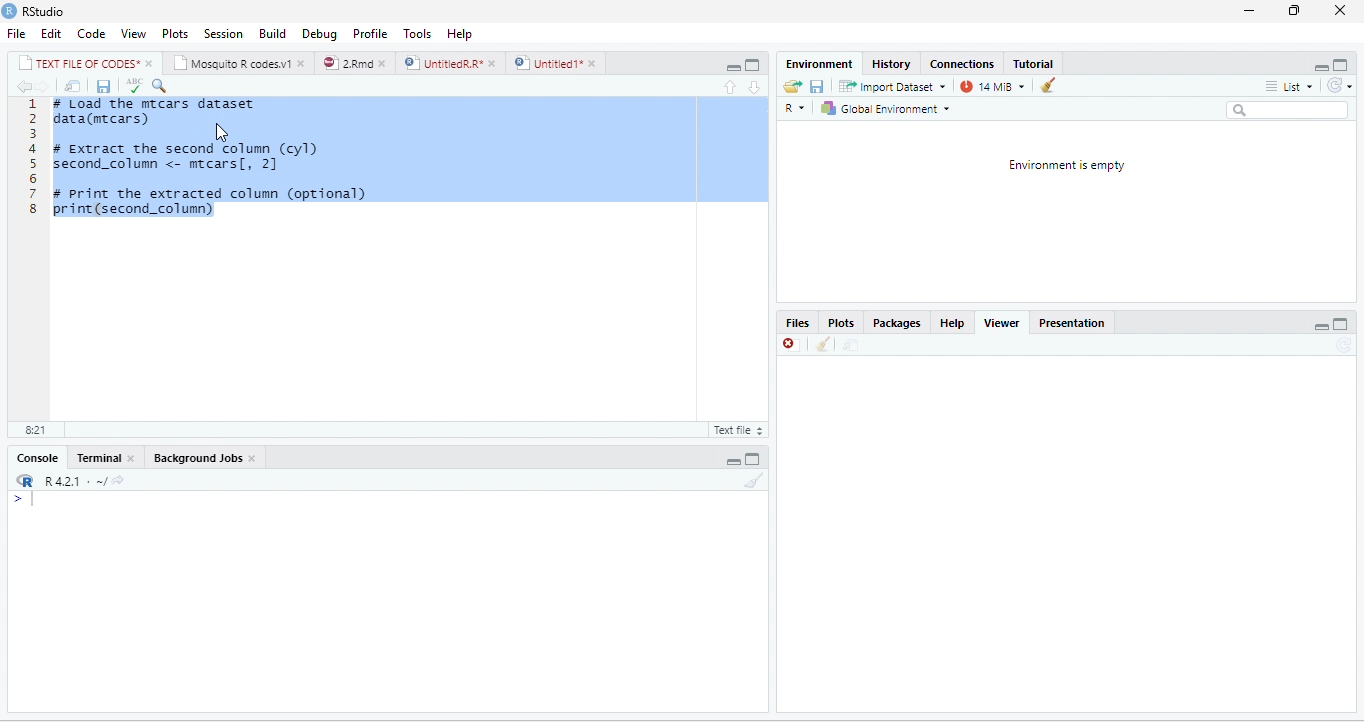 This screenshot has width=1364, height=722. I want to click on move, so click(848, 346).